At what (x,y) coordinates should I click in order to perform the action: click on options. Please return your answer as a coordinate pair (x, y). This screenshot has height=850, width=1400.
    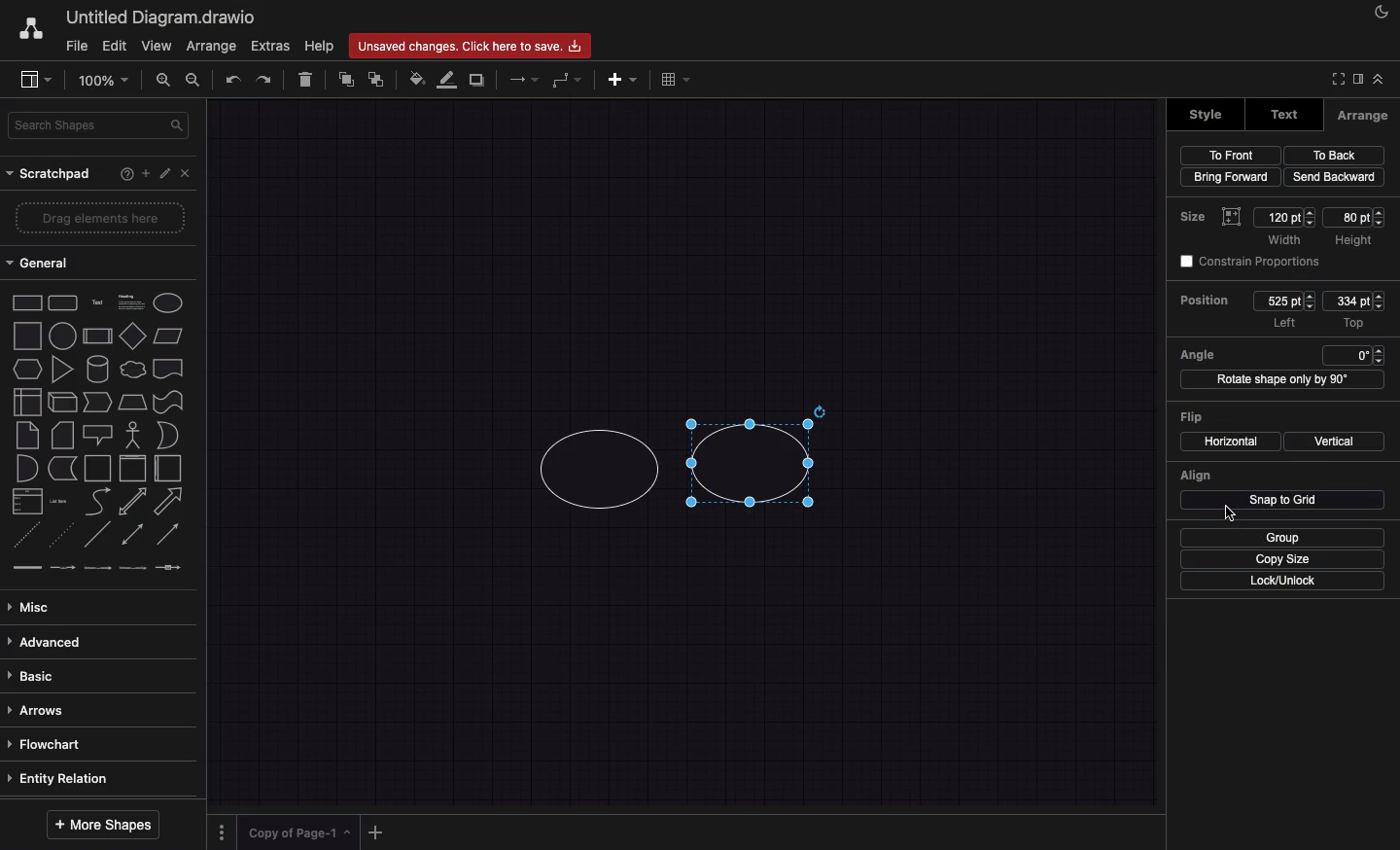
    Looking at the image, I should click on (221, 832).